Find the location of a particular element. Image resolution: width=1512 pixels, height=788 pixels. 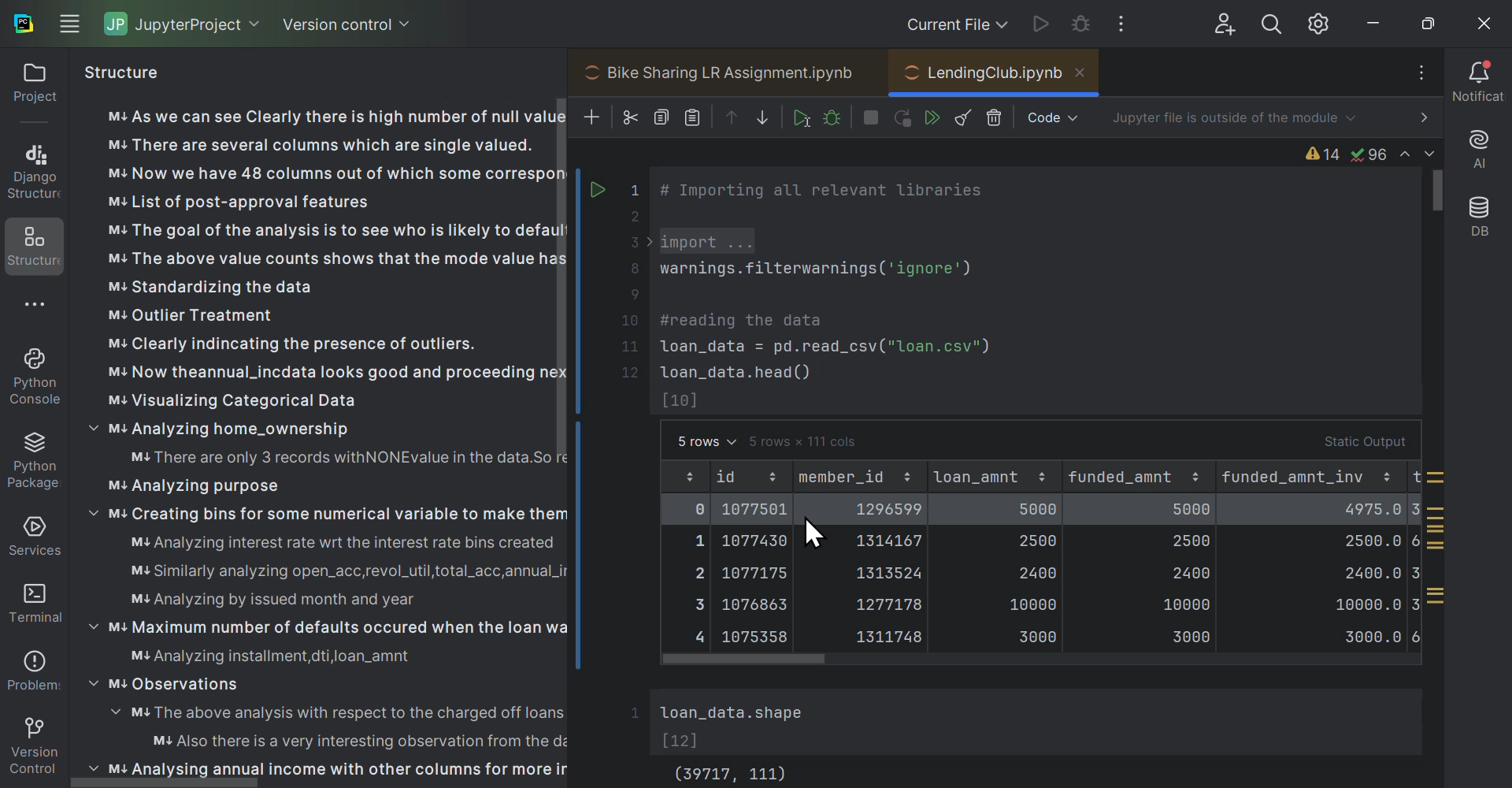

Database is located at coordinates (1482, 224).